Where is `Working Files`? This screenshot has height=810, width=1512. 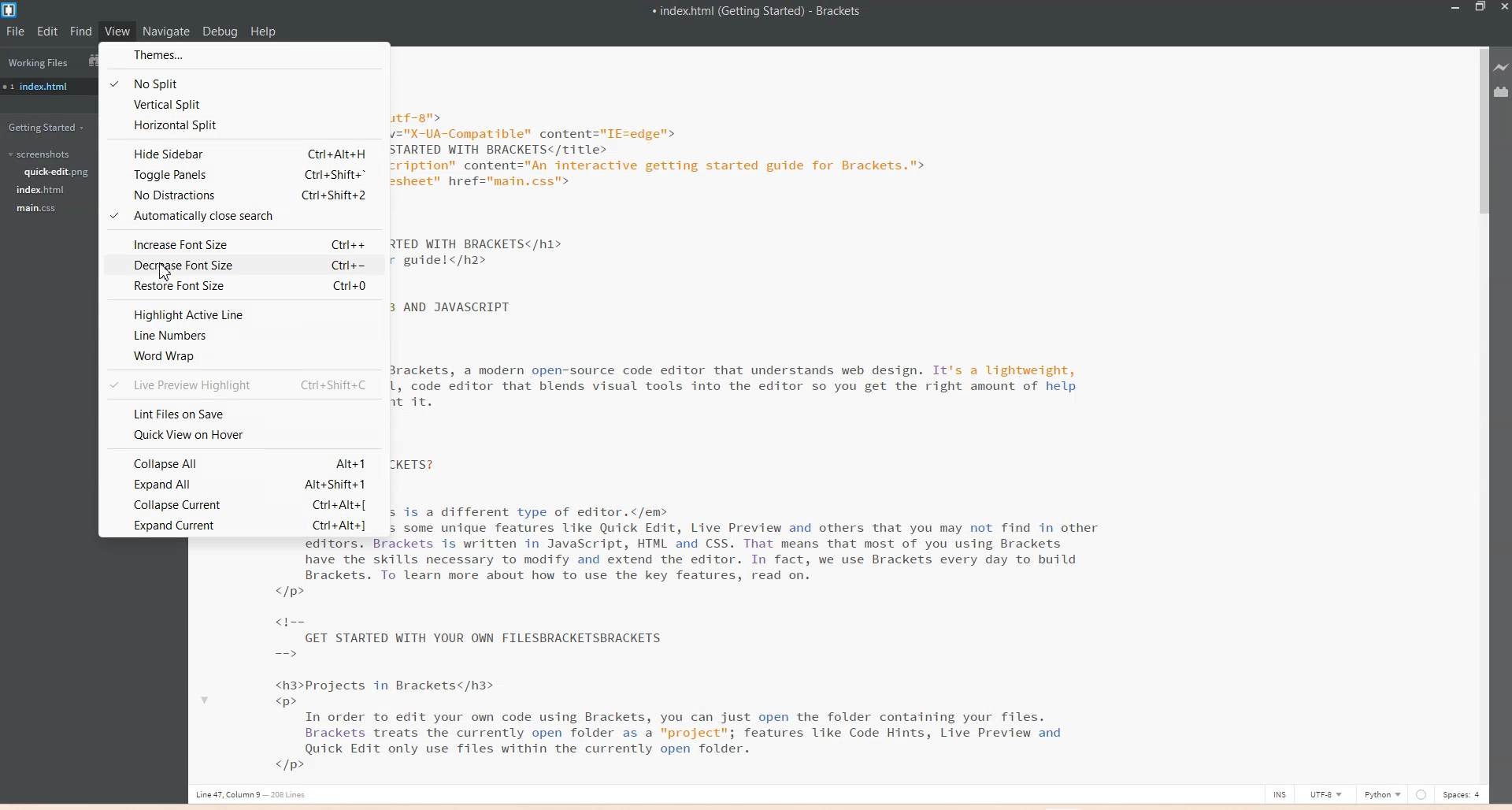 Working Files is located at coordinates (39, 63).